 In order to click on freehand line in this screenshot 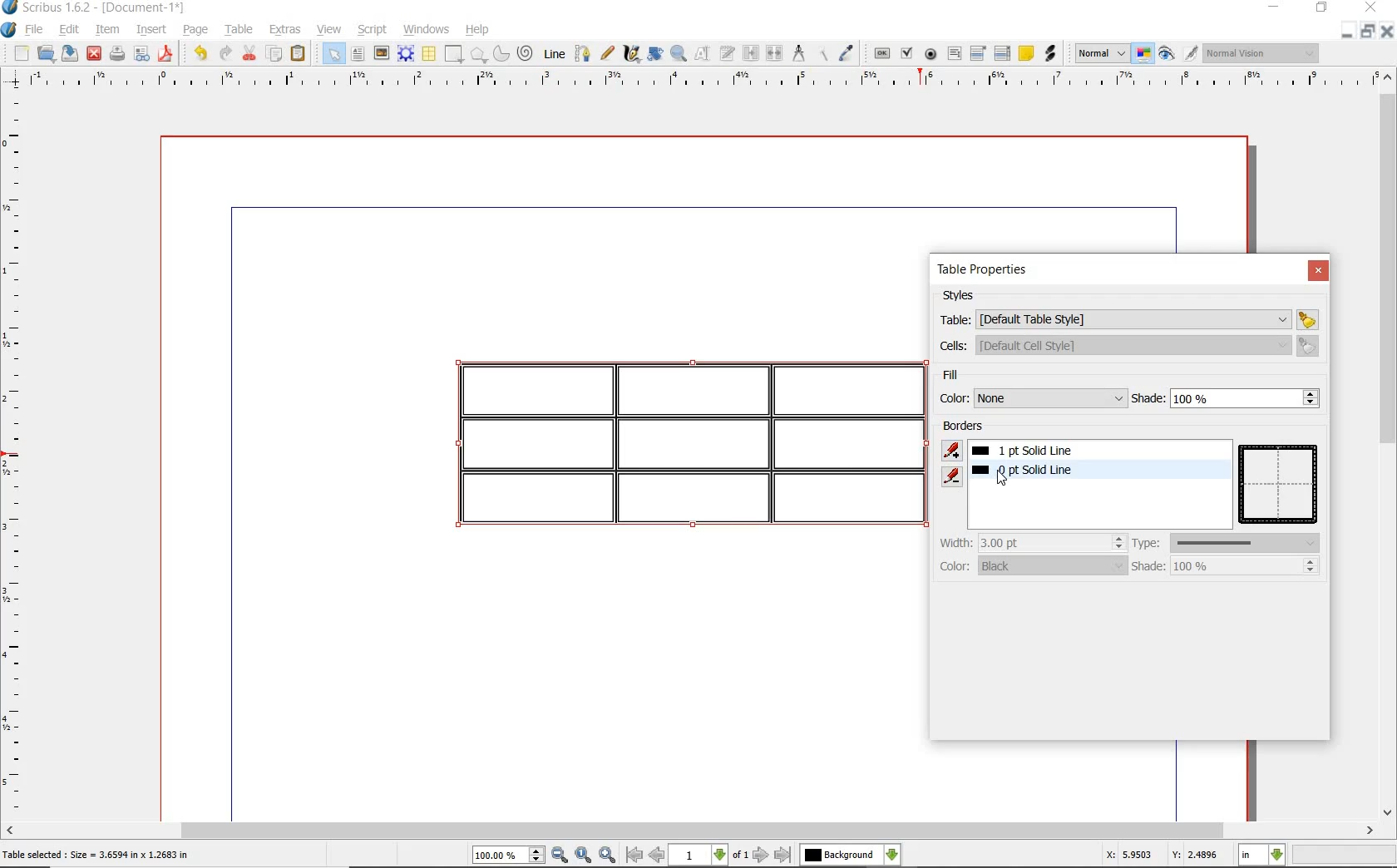, I will do `click(608, 55)`.